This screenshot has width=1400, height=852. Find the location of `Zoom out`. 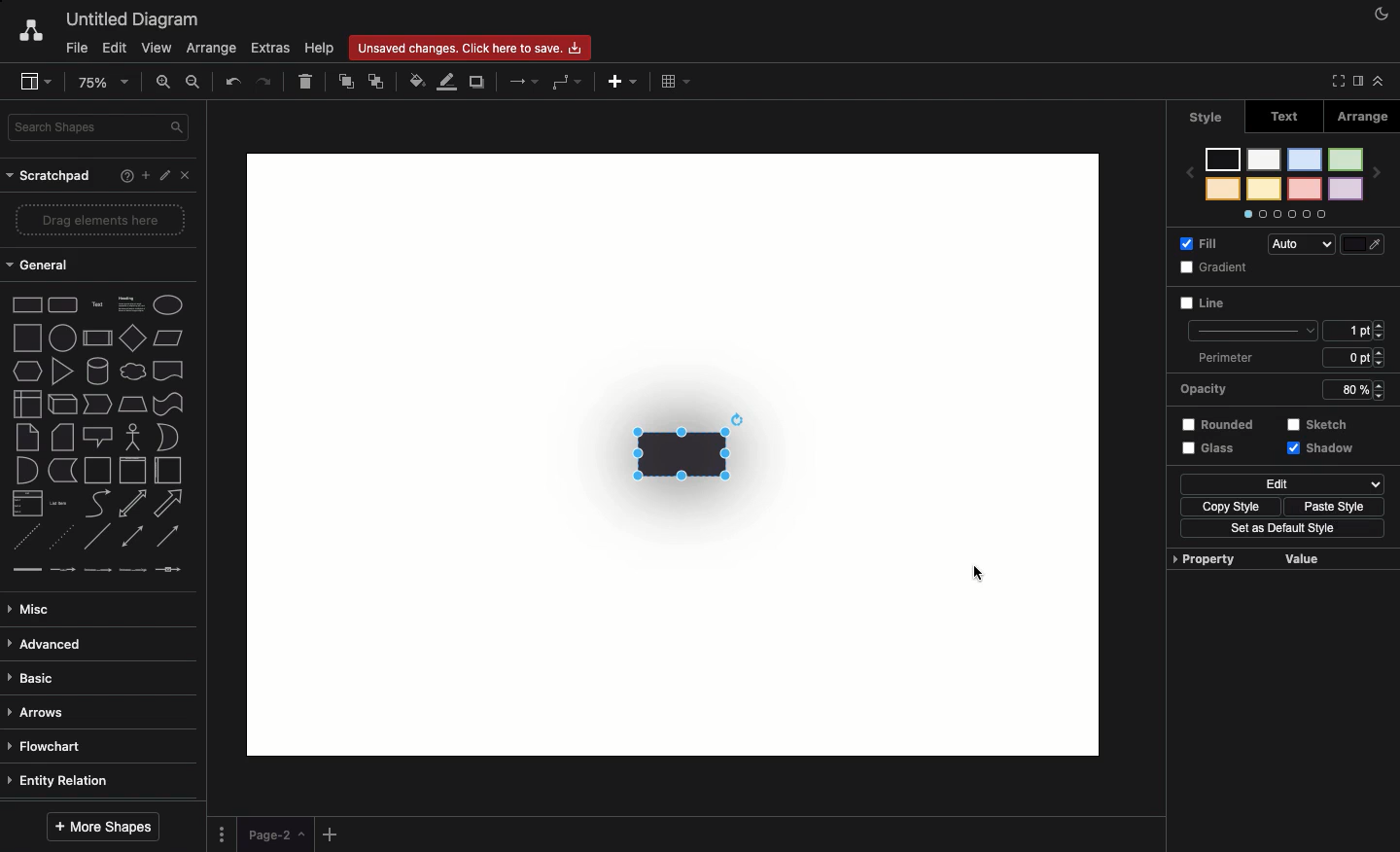

Zoom out is located at coordinates (193, 82).